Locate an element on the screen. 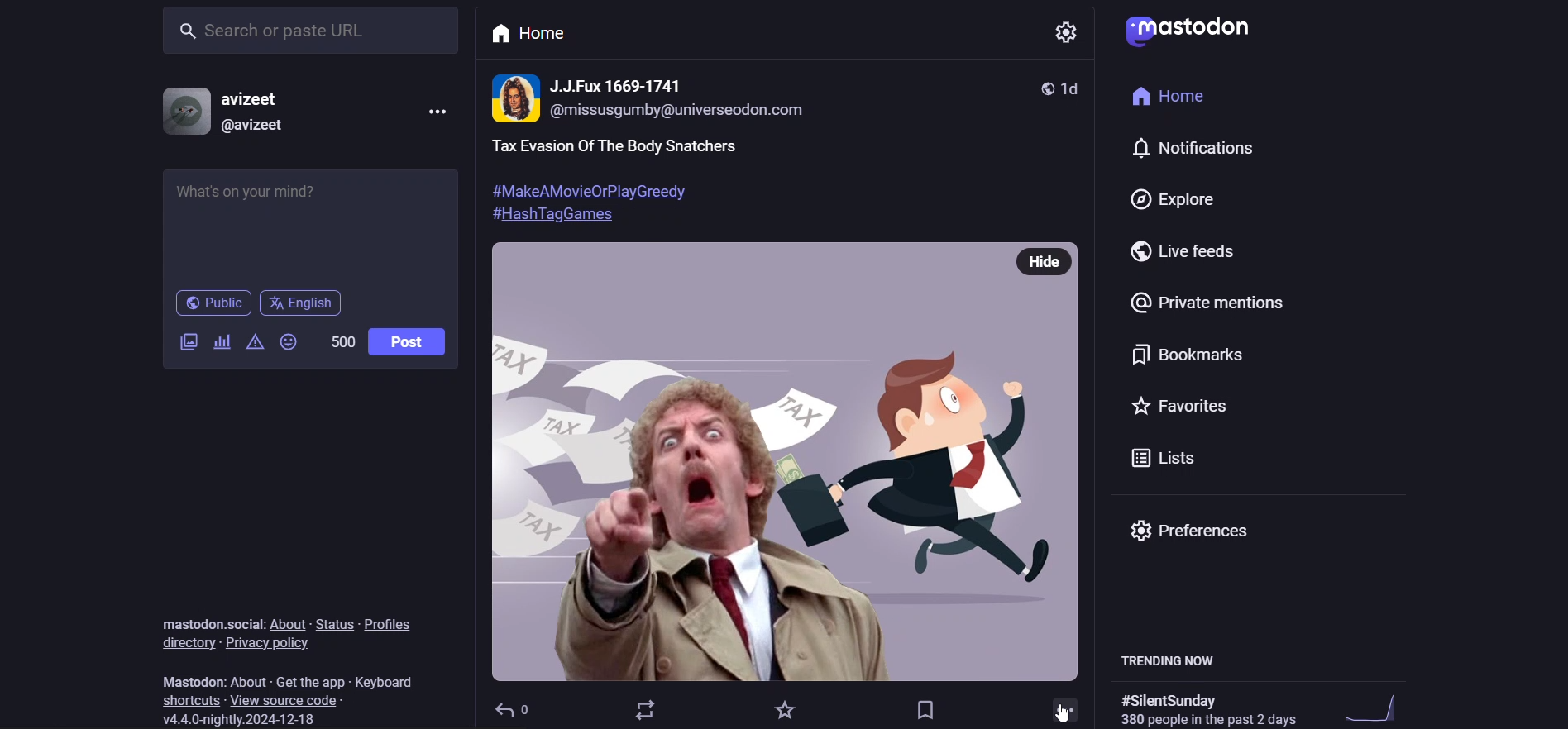 The width and height of the screenshot is (1568, 729). public is located at coordinates (214, 303).